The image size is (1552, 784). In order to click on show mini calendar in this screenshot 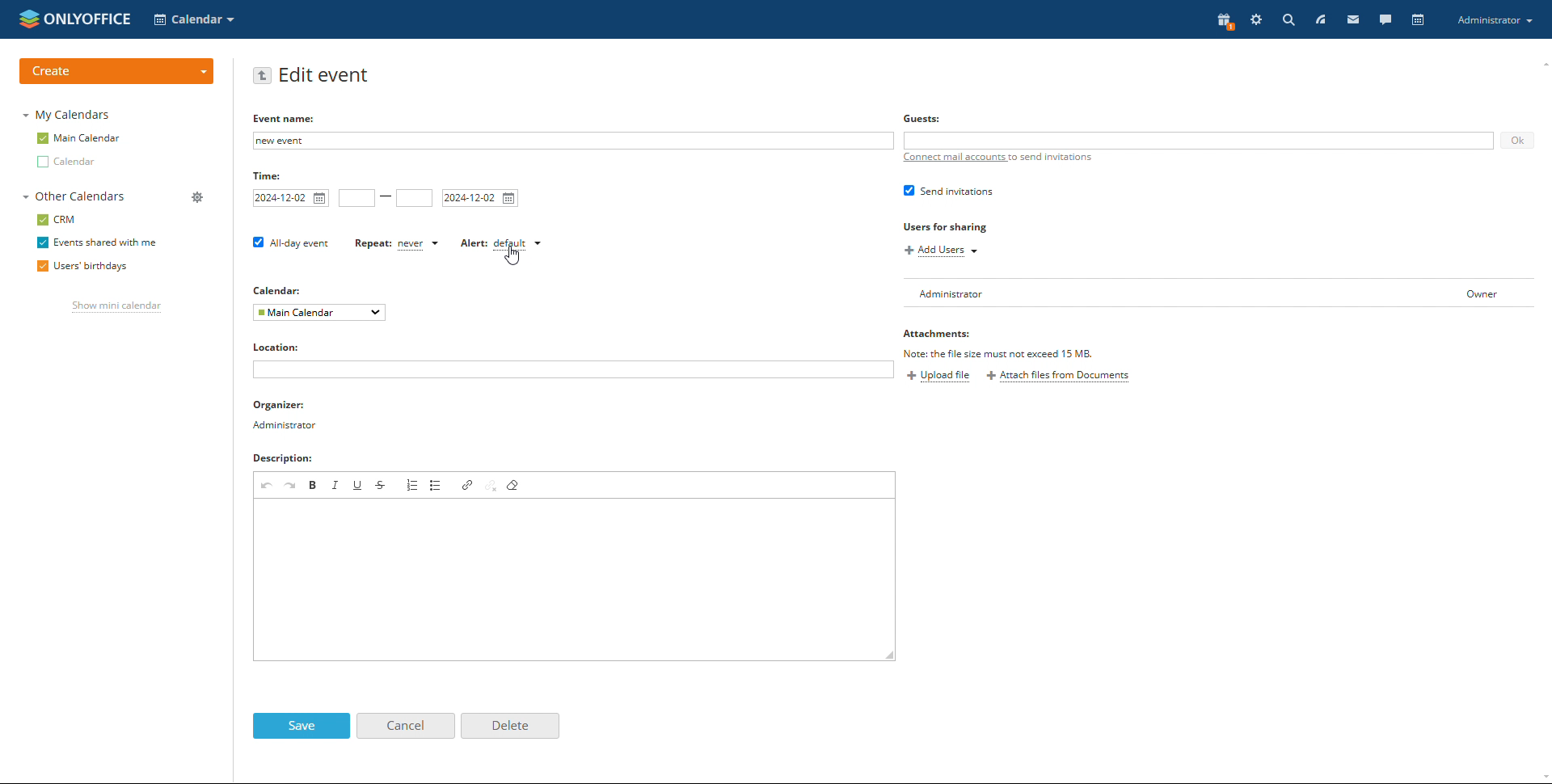, I will do `click(116, 306)`.